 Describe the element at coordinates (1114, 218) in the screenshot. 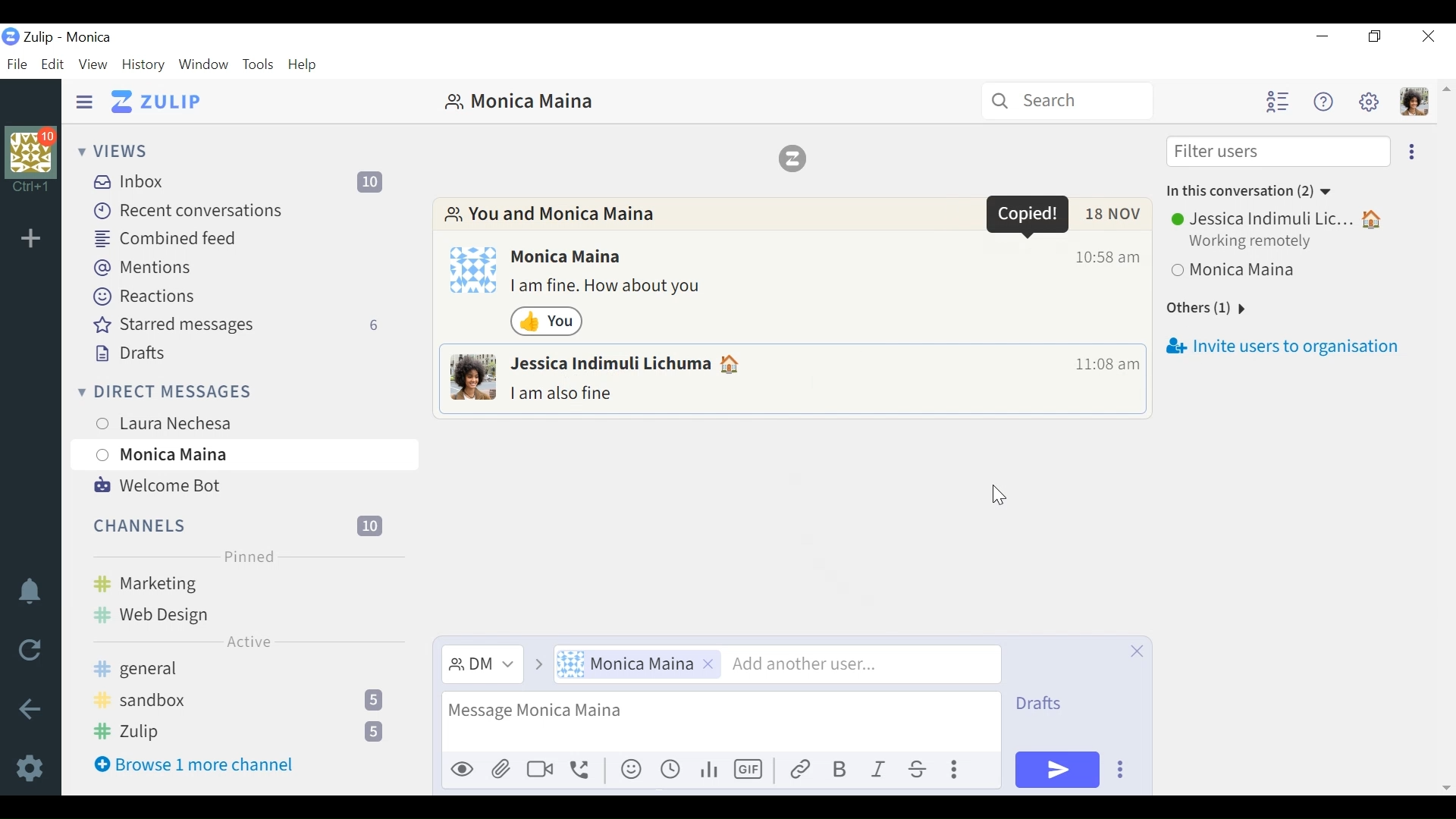

I see `Date` at that location.